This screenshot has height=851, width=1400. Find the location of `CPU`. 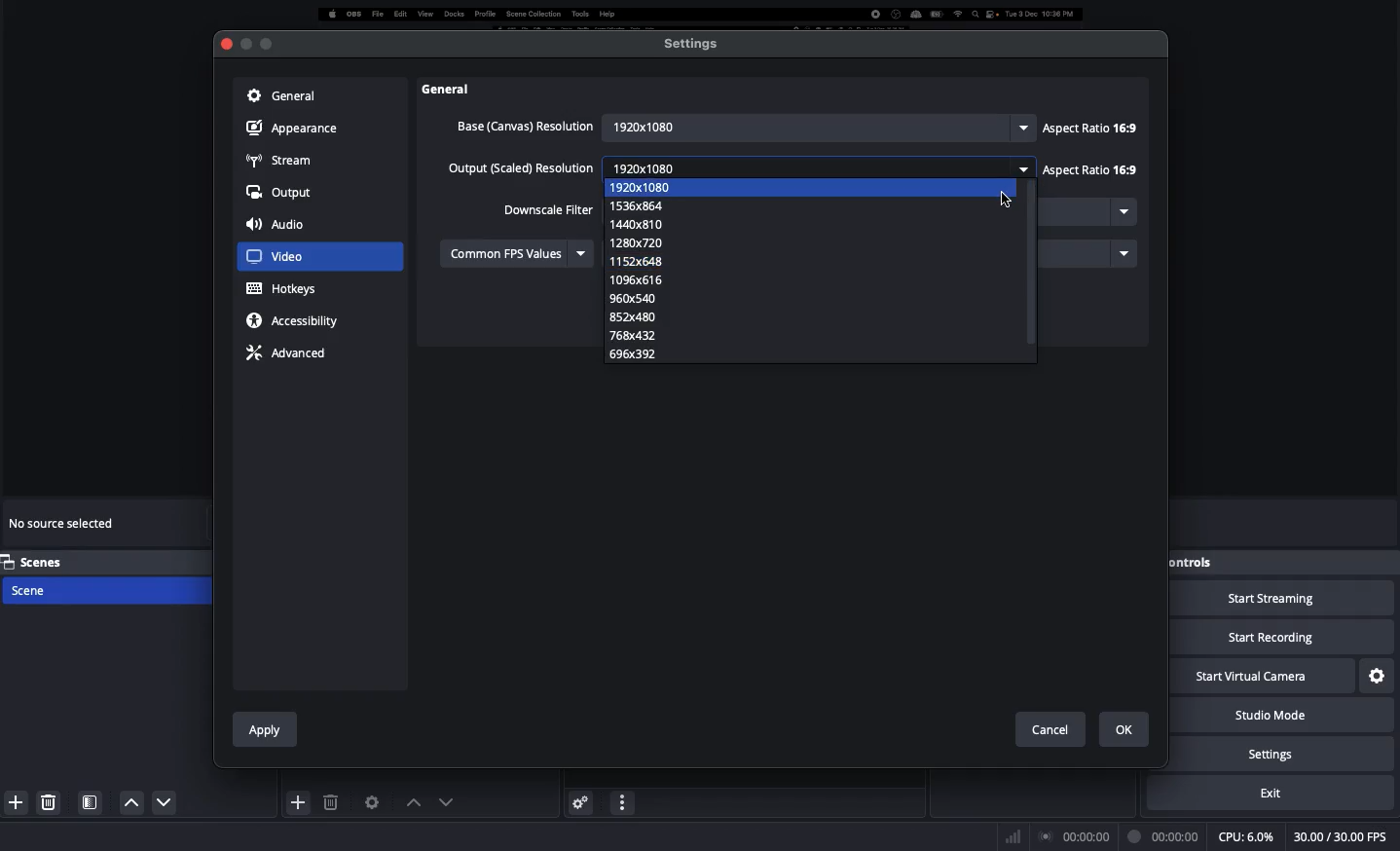

CPU is located at coordinates (1245, 837).